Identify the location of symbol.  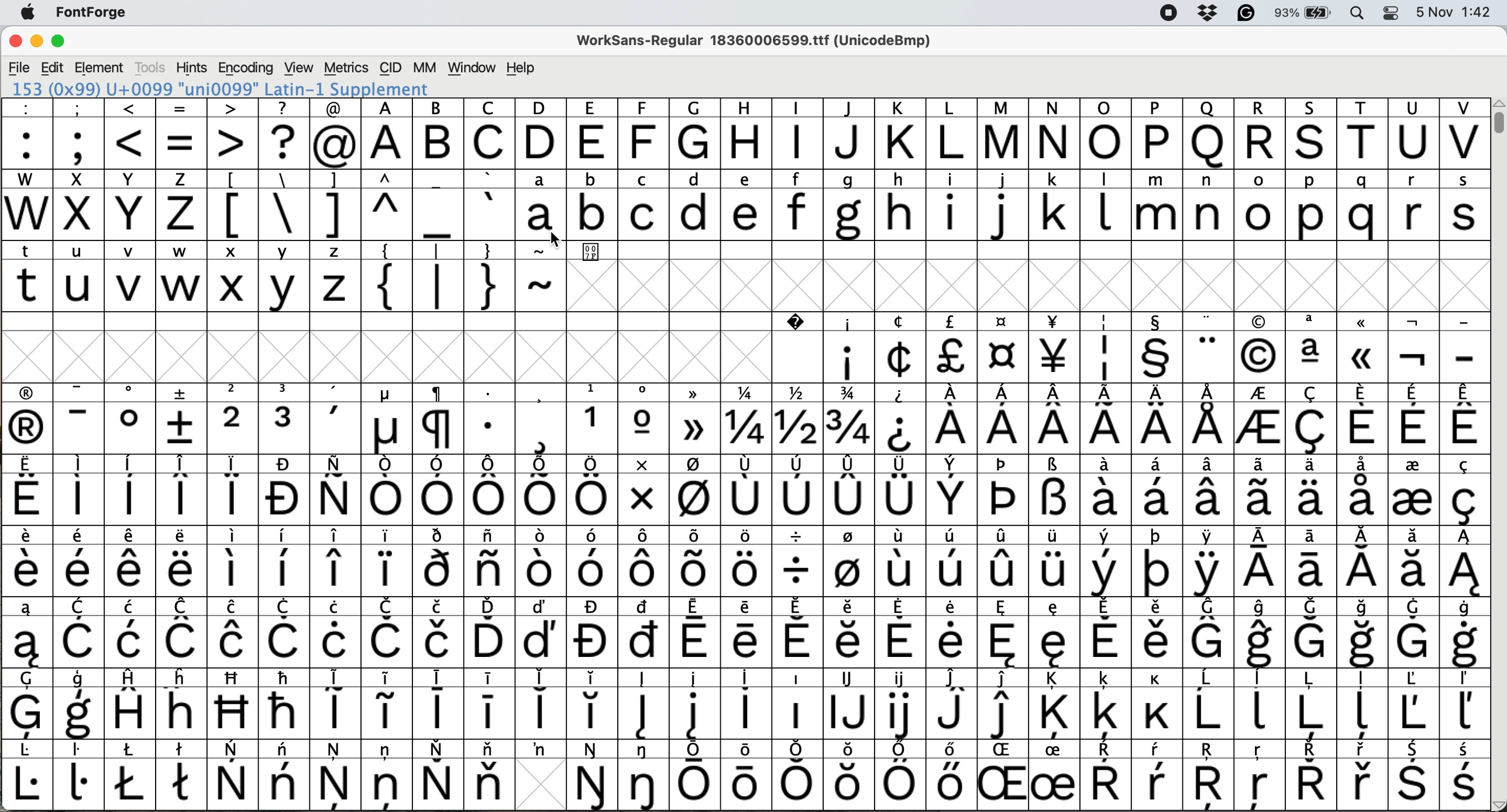
(593, 776).